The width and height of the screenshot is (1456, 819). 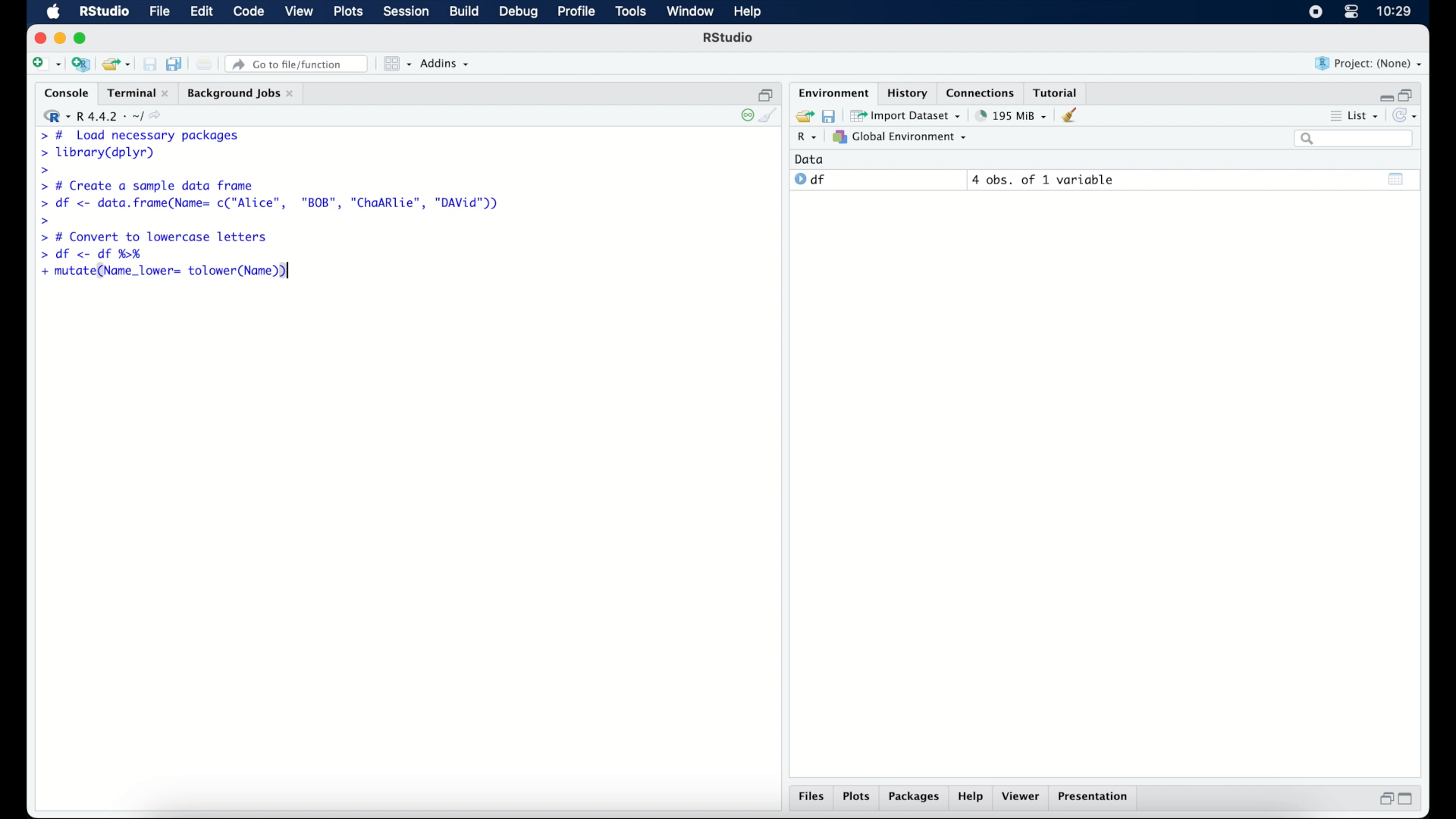 What do you see at coordinates (158, 12) in the screenshot?
I see `file` at bounding box center [158, 12].